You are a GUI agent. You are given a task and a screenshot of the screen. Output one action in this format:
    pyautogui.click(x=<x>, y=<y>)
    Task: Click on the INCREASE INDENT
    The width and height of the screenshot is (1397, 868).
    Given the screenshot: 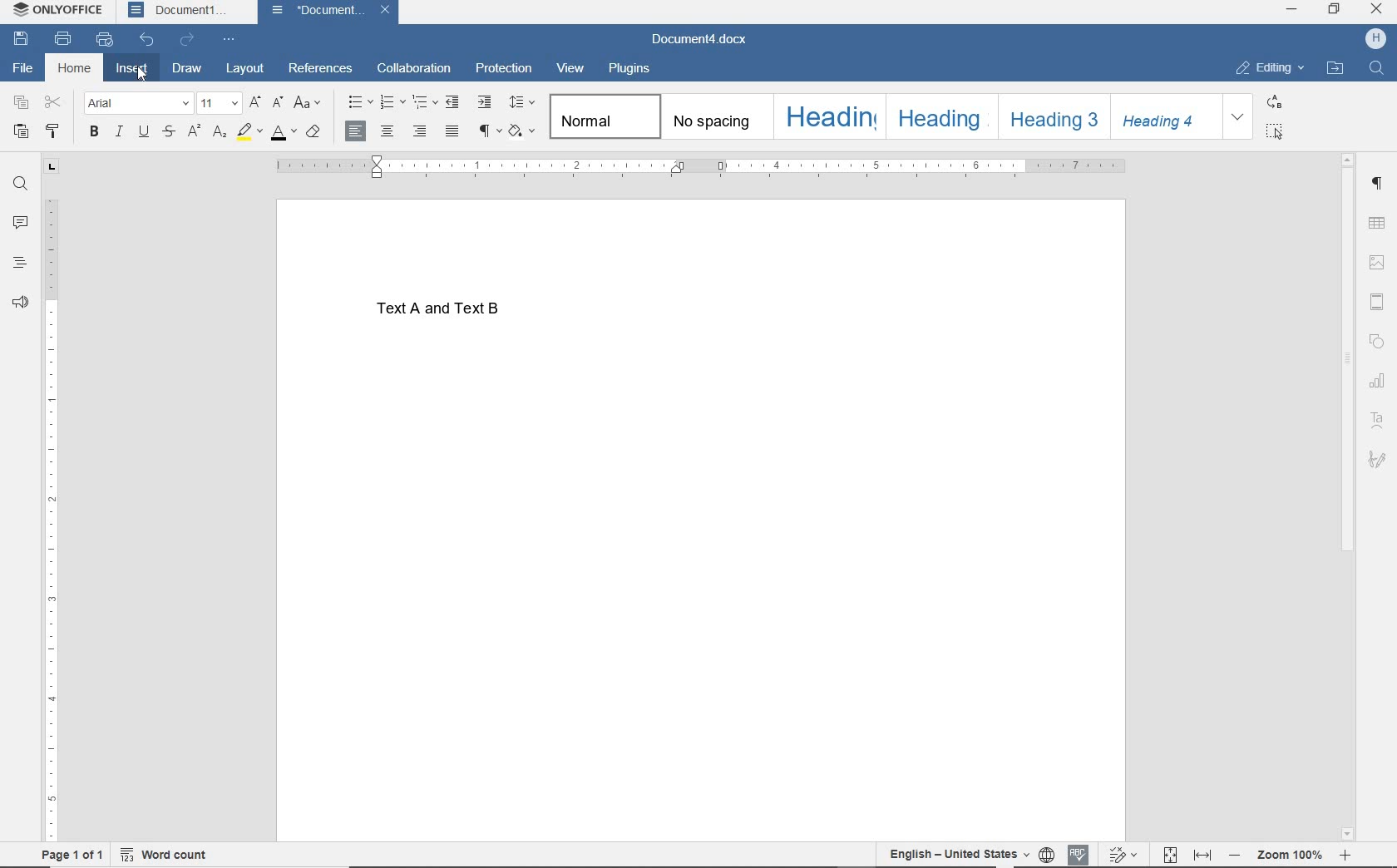 What is the action you would take?
    pyautogui.click(x=485, y=102)
    